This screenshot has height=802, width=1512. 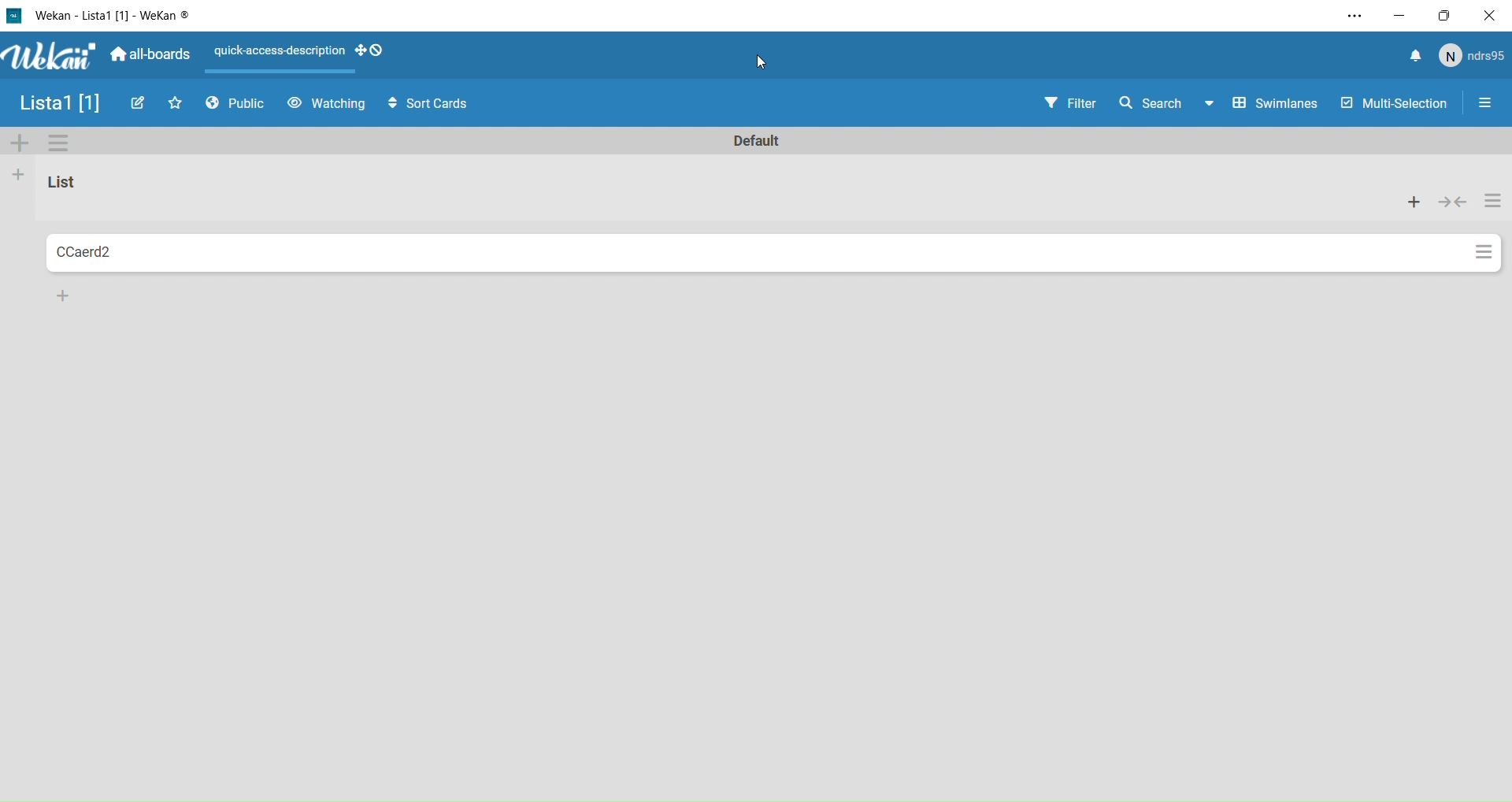 What do you see at coordinates (1155, 104) in the screenshot?
I see `Search` at bounding box center [1155, 104].